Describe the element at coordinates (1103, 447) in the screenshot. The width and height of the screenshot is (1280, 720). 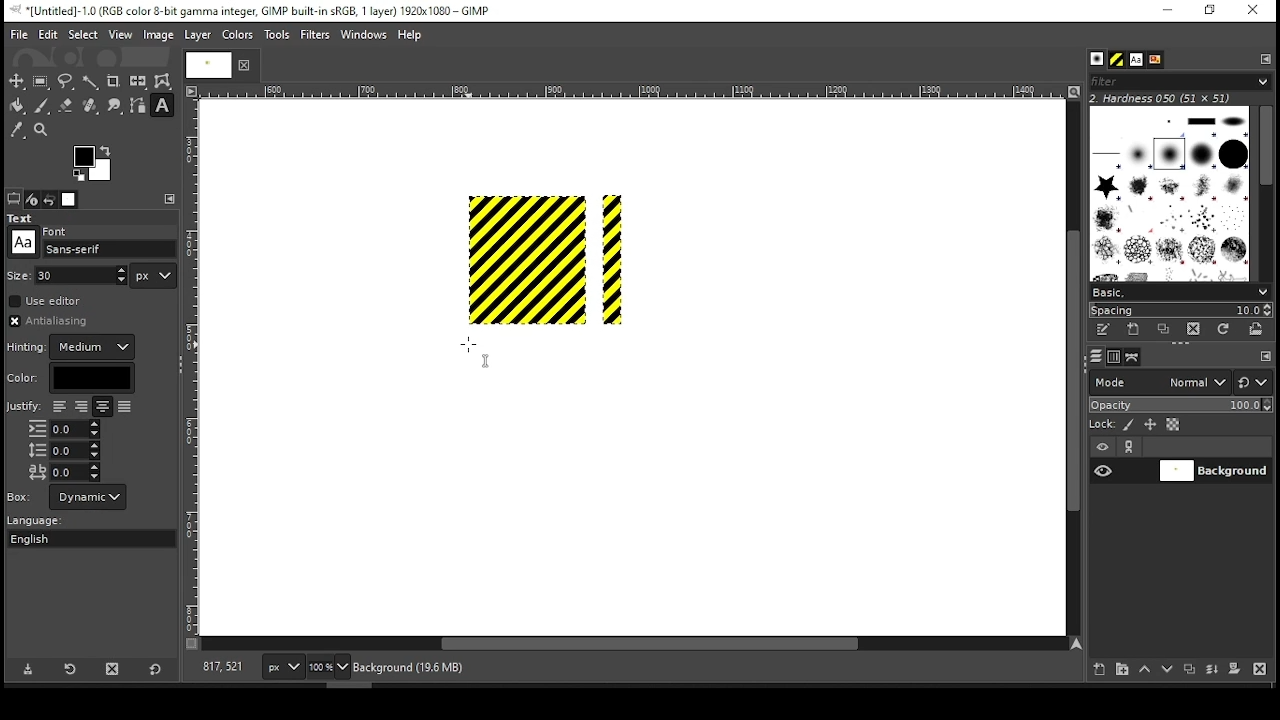
I see `layer visibility` at that location.